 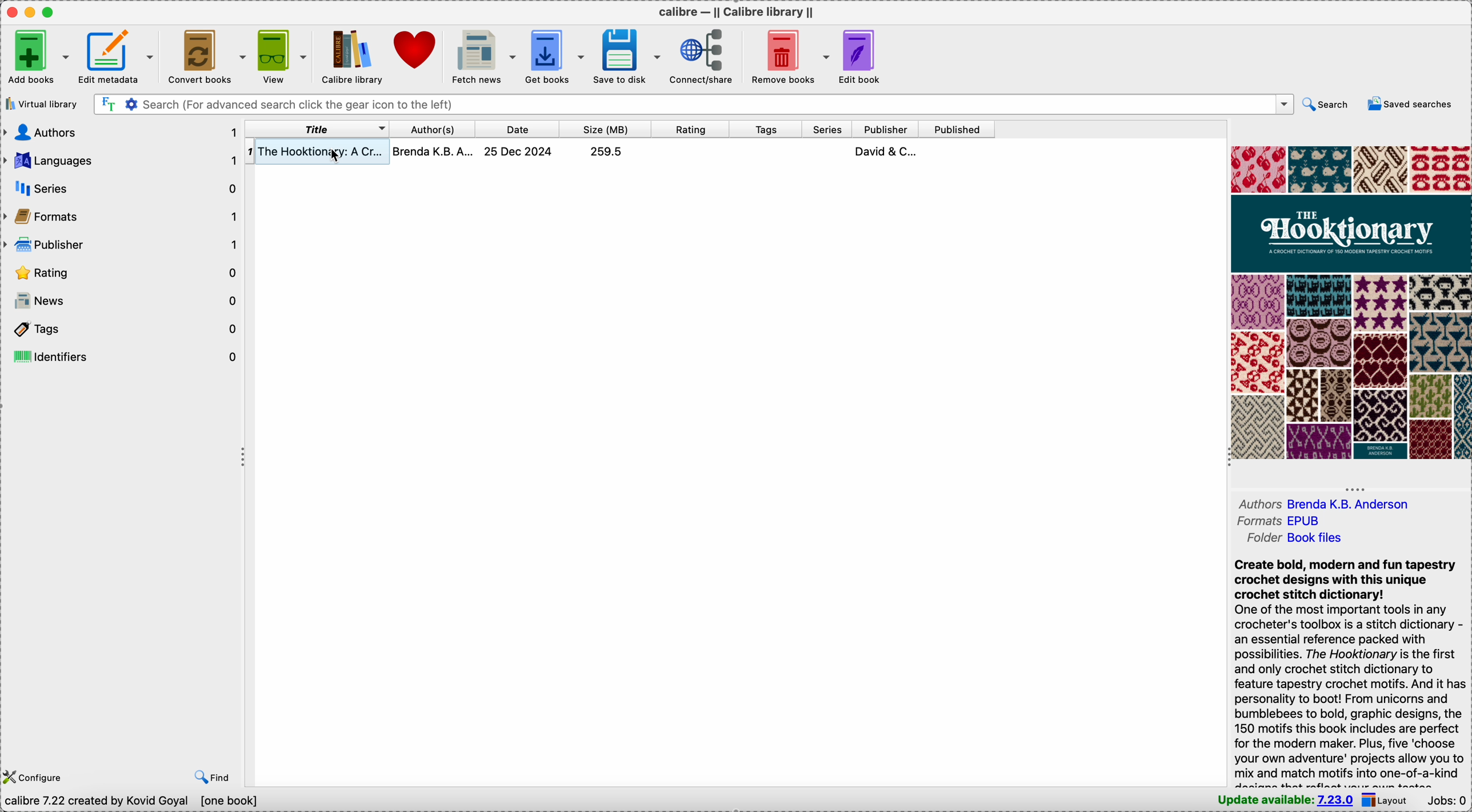 What do you see at coordinates (688, 129) in the screenshot?
I see `rating` at bounding box center [688, 129].